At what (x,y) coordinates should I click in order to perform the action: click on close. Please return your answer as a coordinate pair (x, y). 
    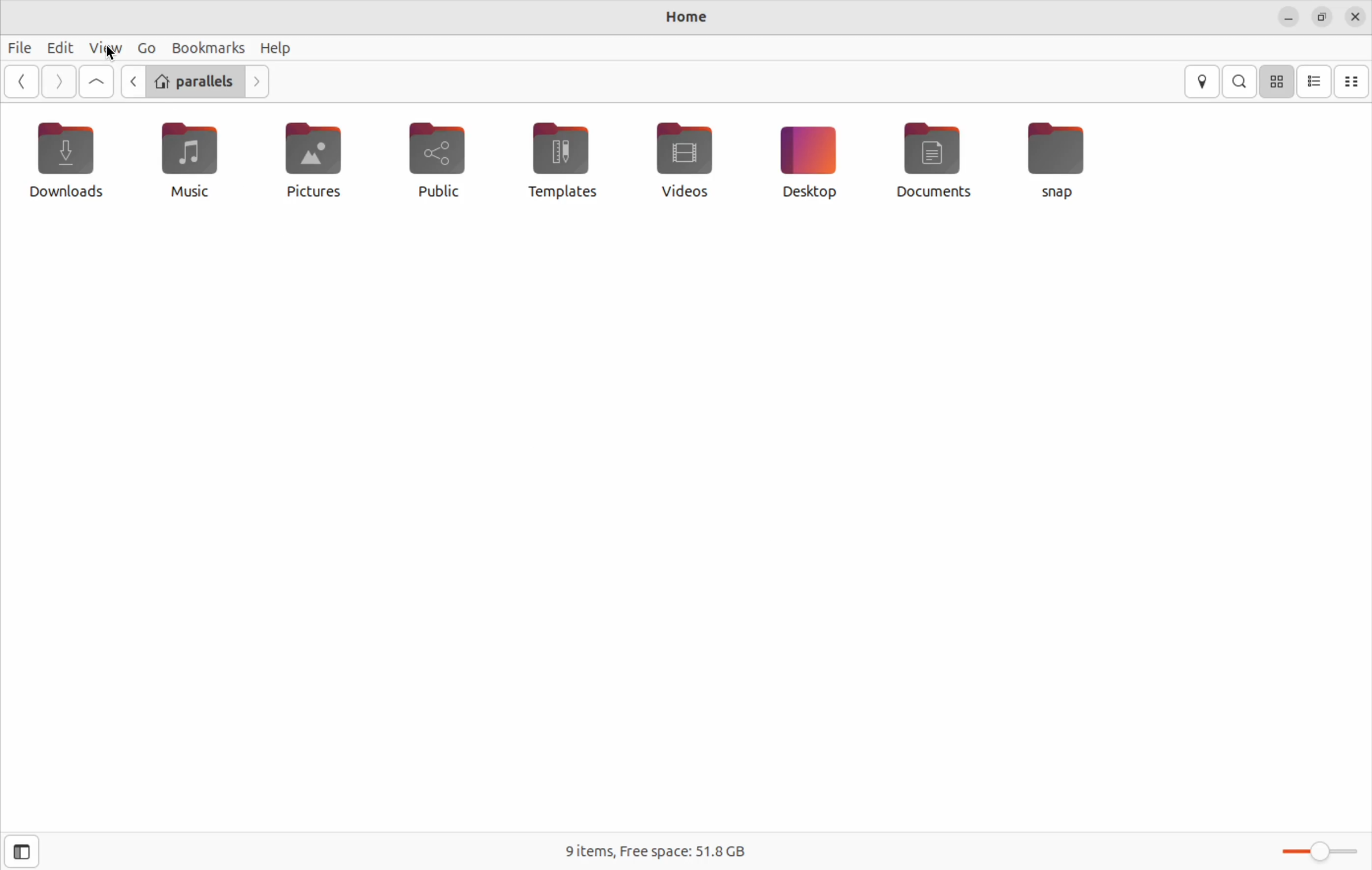
    Looking at the image, I should click on (1353, 17).